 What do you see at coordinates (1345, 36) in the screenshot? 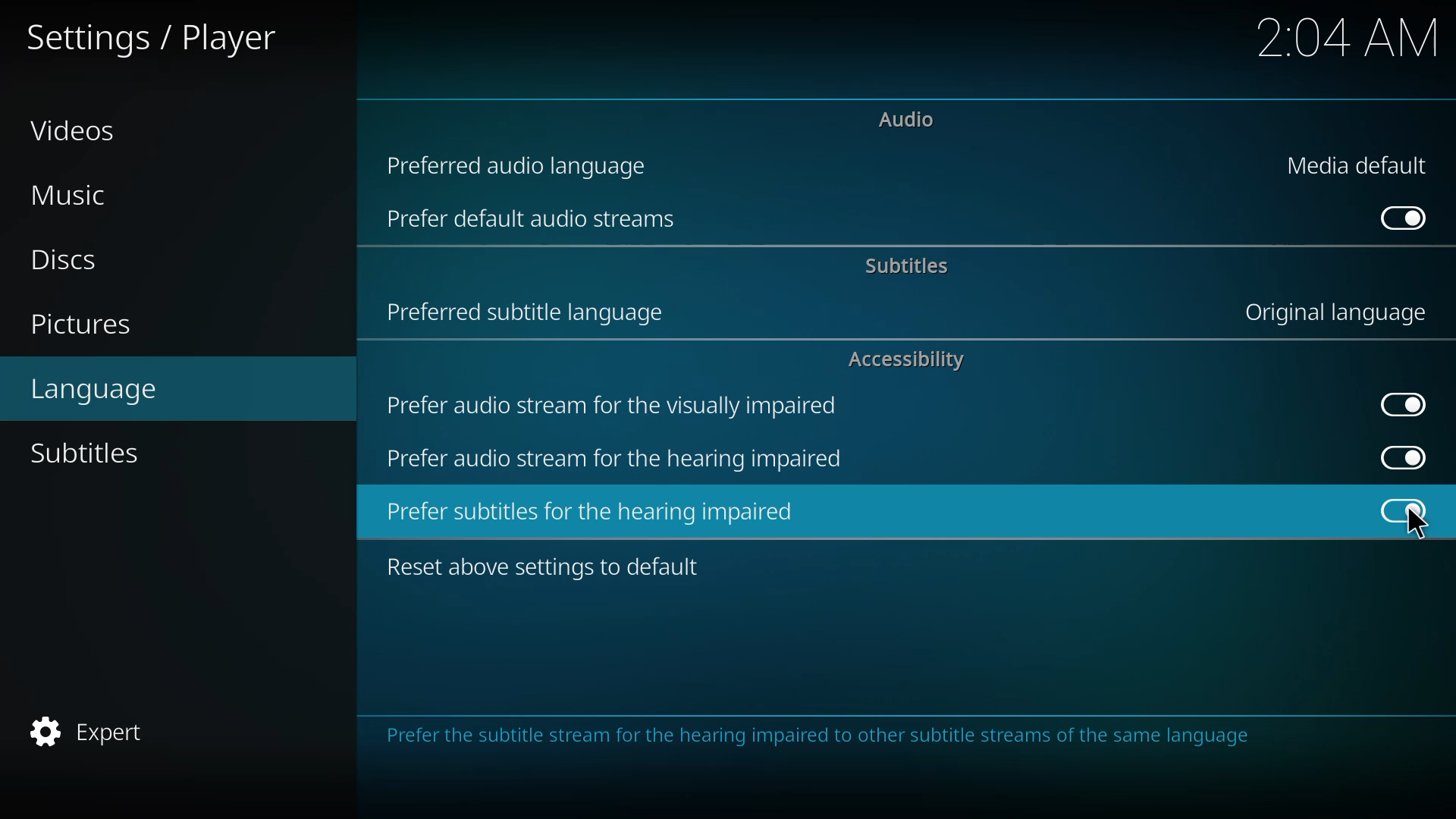
I see `time` at bounding box center [1345, 36].